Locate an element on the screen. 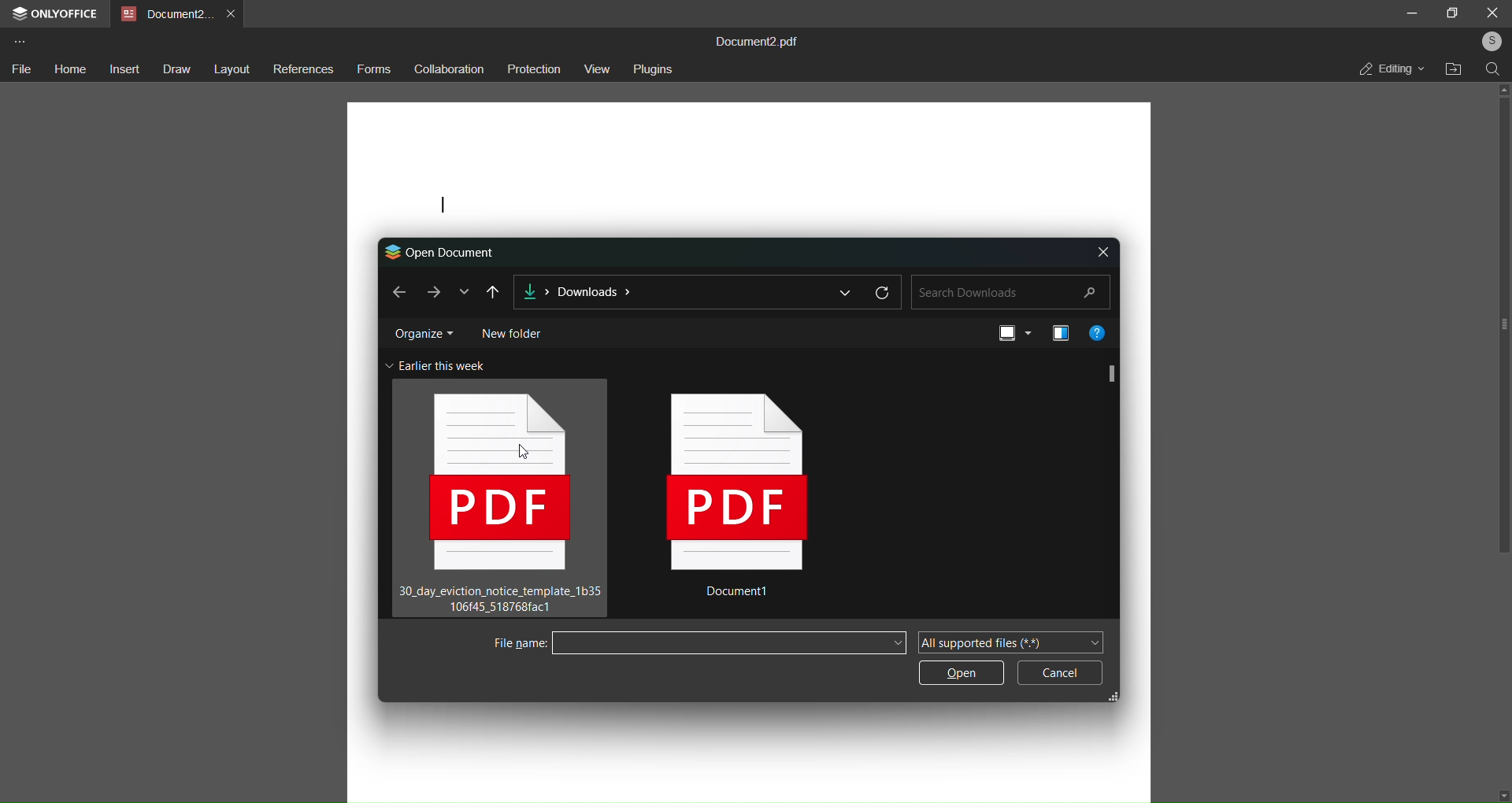  earlier this week is located at coordinates (438, 364).